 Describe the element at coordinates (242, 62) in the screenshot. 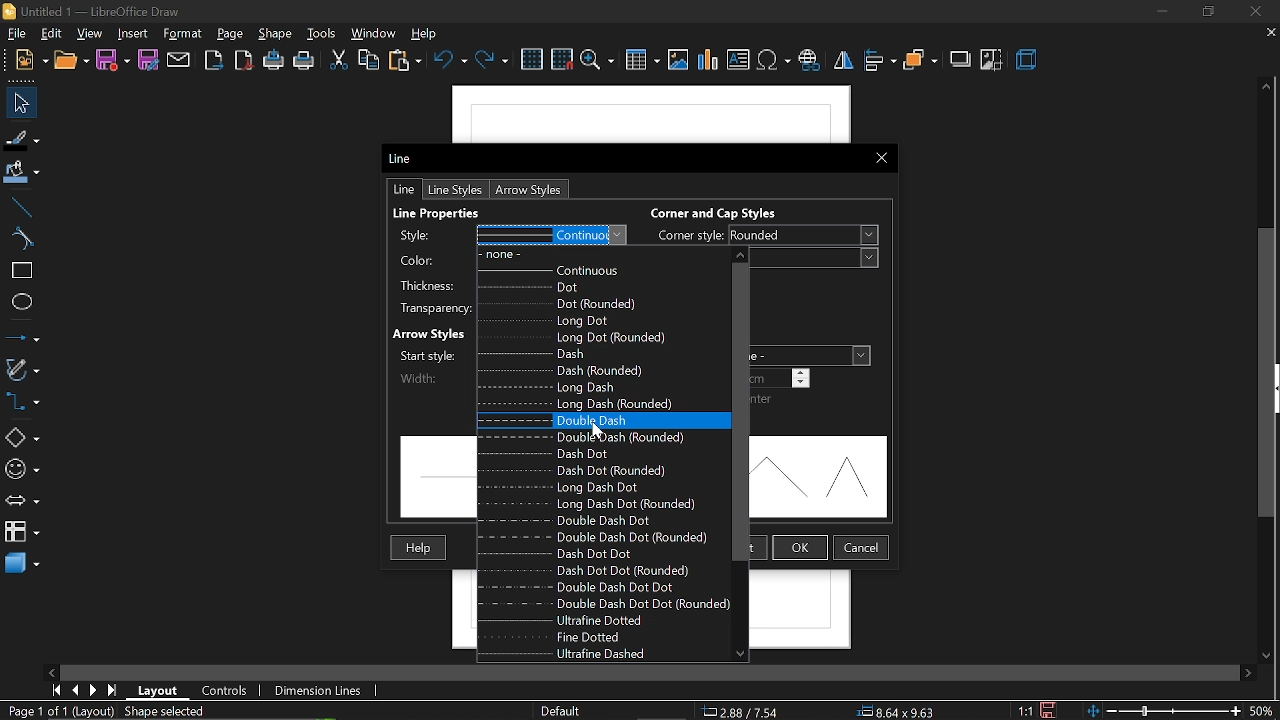

I see `export as` at that location.